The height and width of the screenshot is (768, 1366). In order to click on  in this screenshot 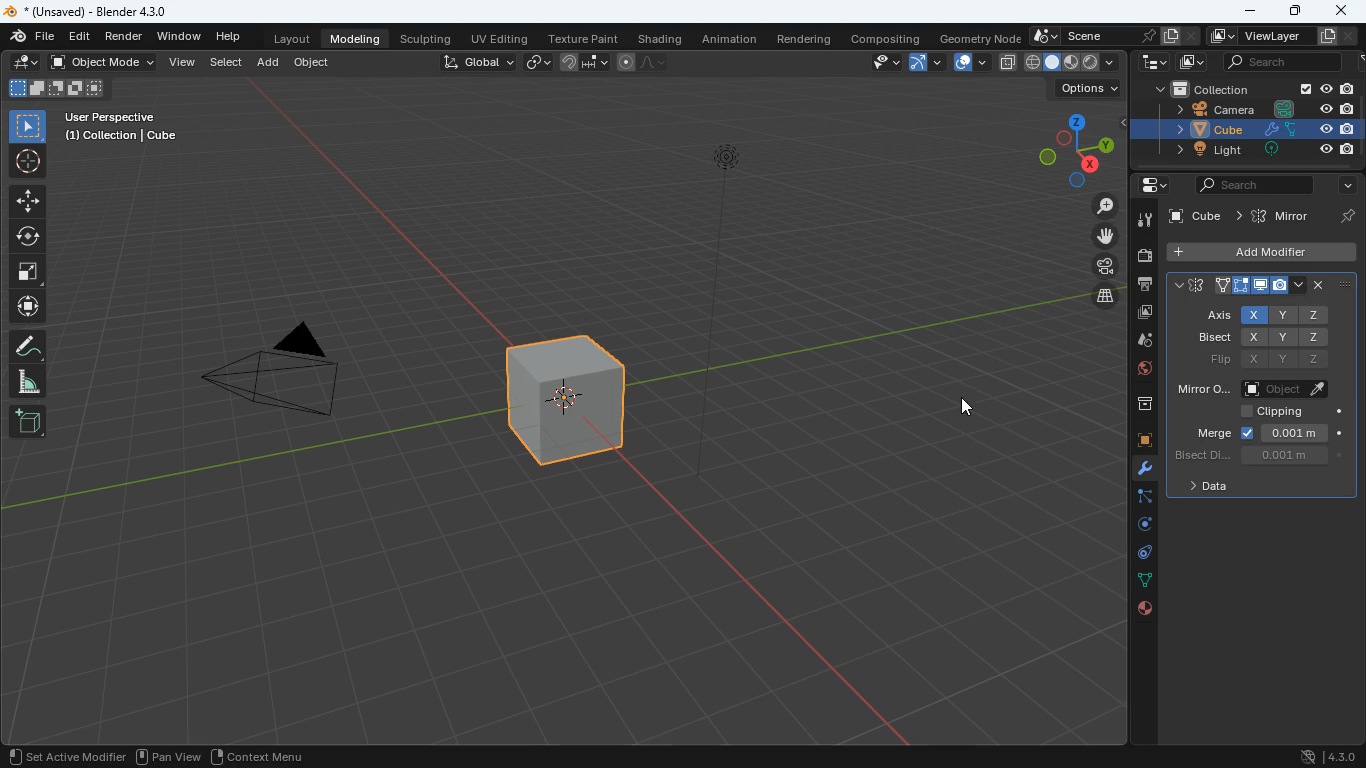, I will do `click(1325, 90)`.